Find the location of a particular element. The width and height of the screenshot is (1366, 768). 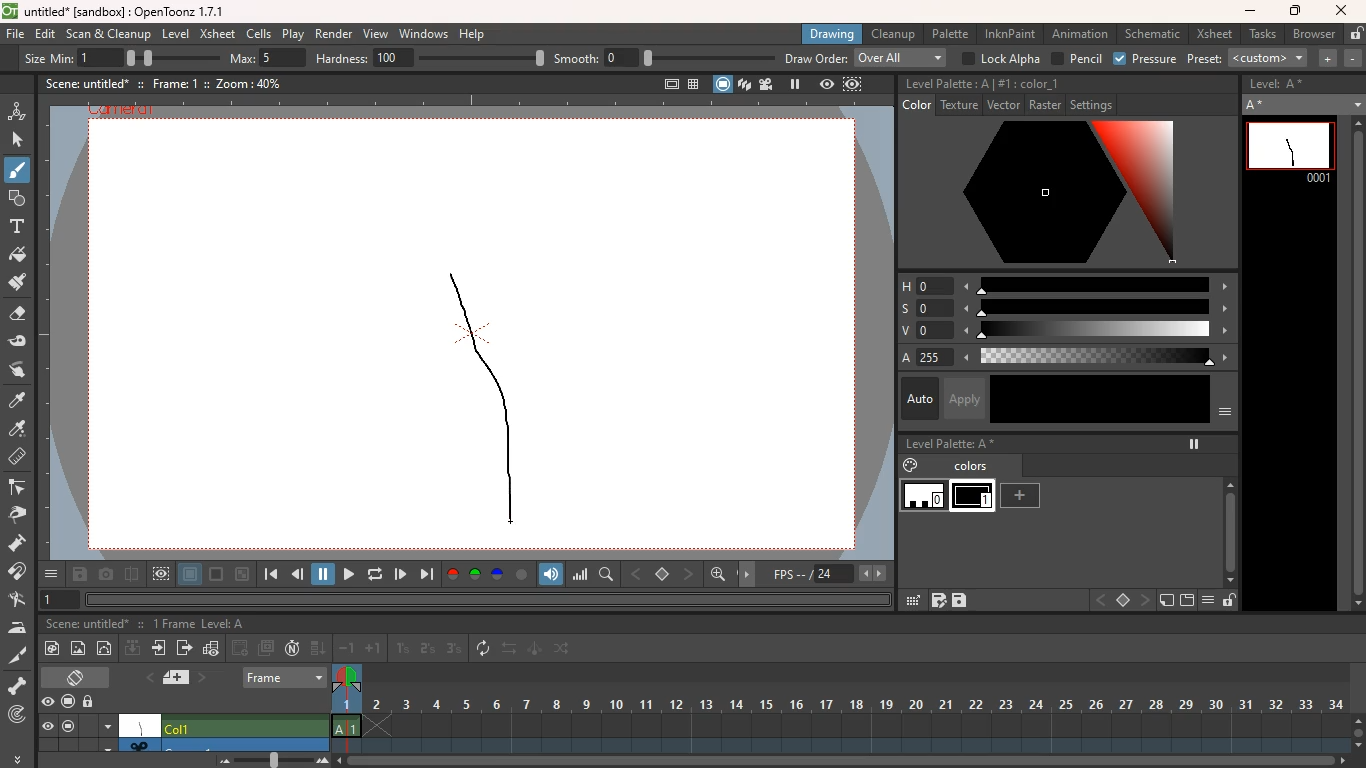

graph is located at coordinates (212, 648).